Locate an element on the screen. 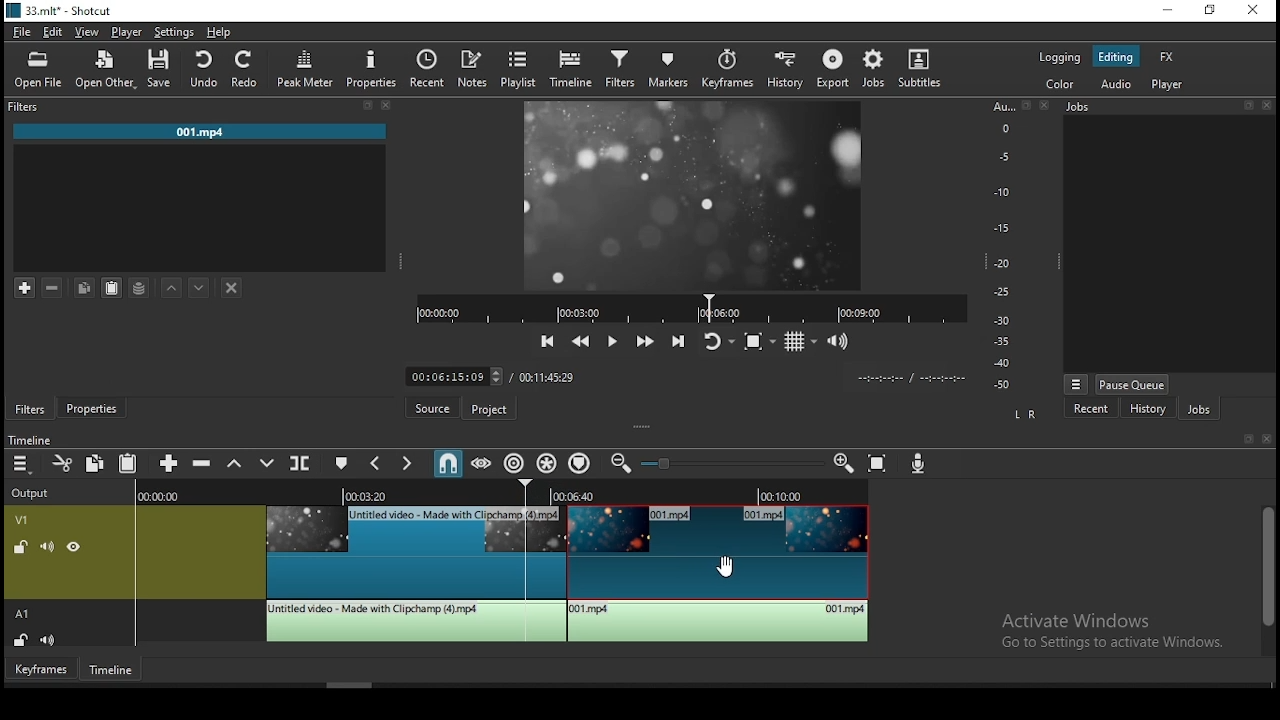 The image size is (1280, 720). history is located at coordinates (1147, 411).